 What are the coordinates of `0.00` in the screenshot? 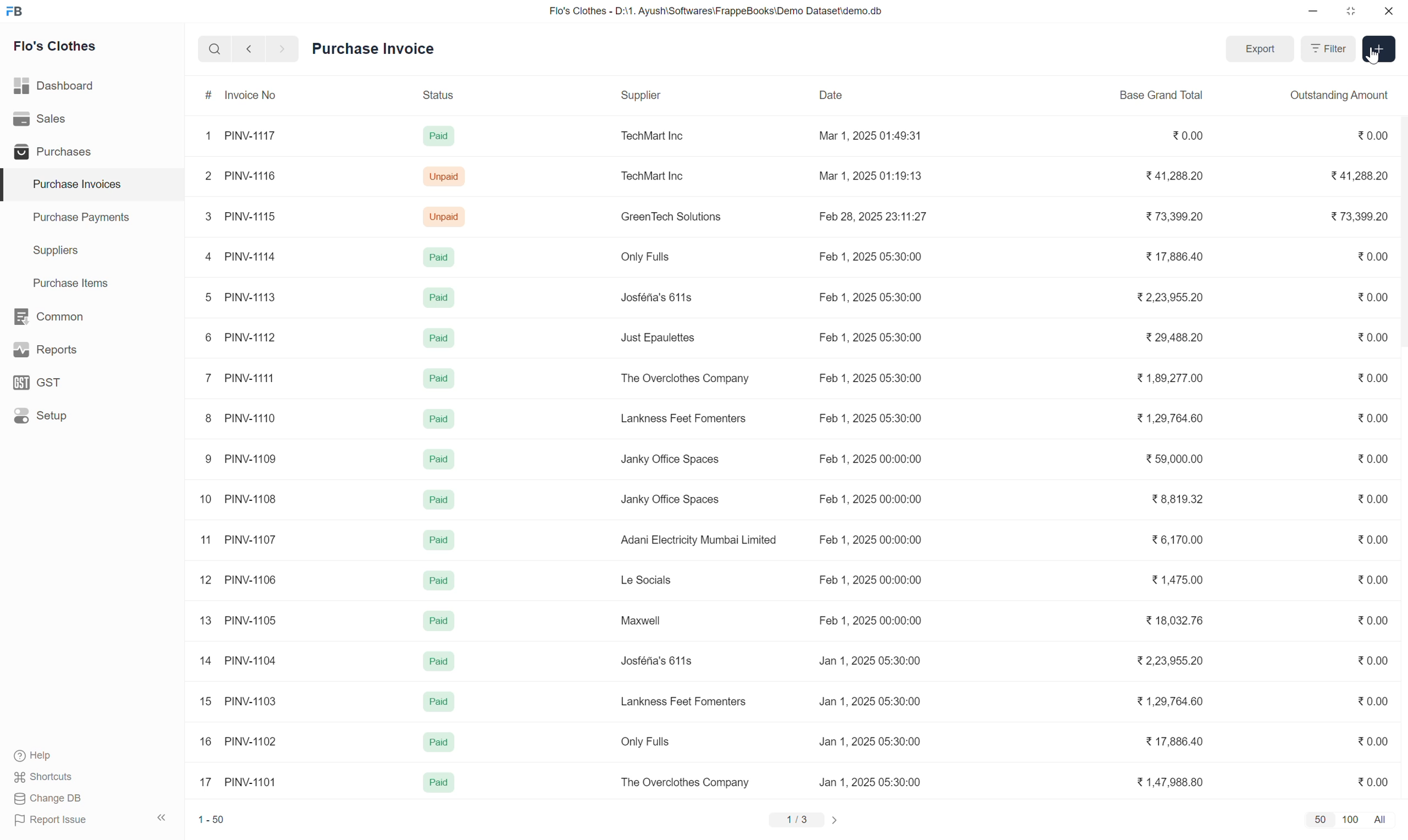 It's located at (1373, 701).